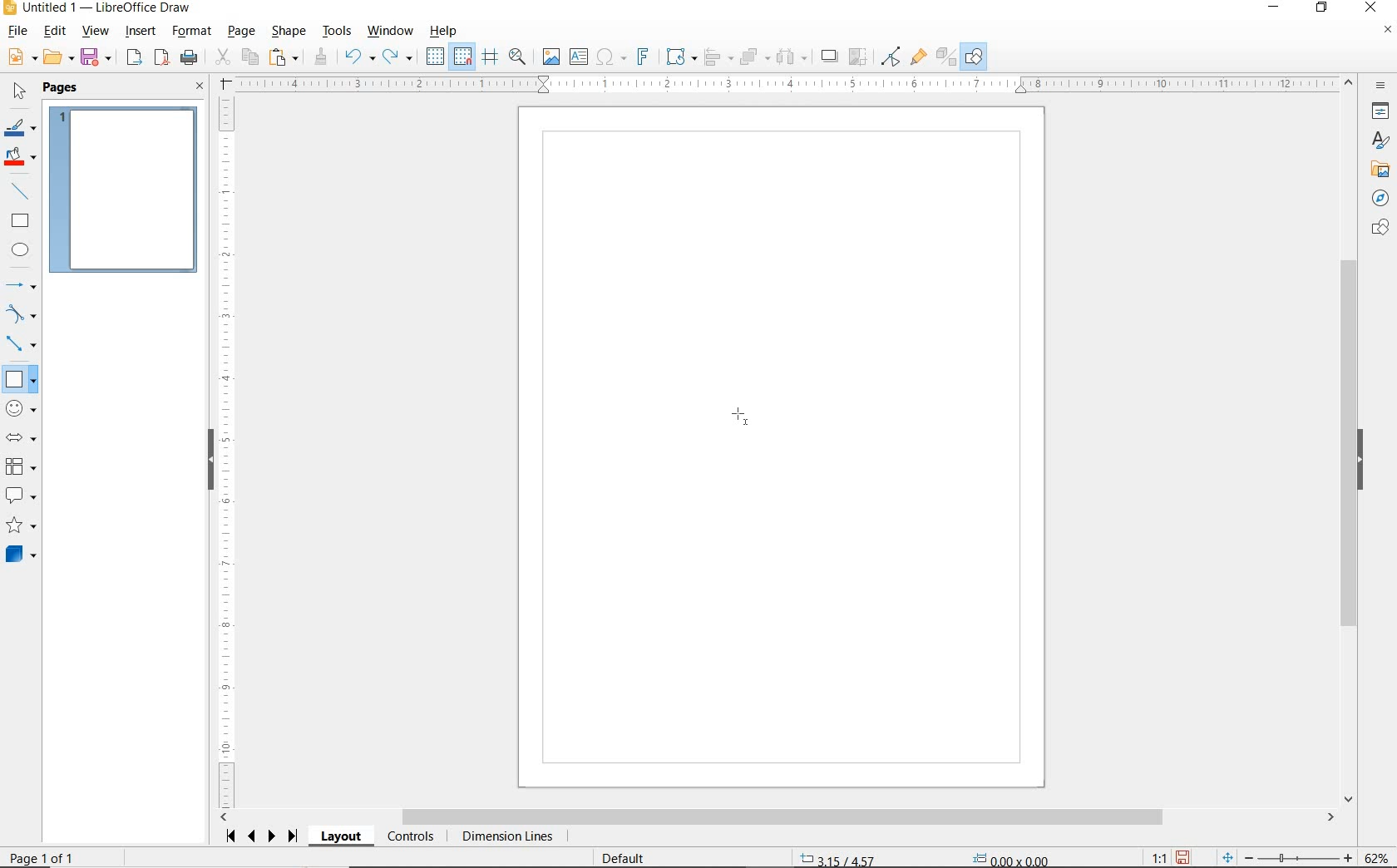 The width and height of the screenshot is (1397, 868). What do you see at coordinates (21, 555) in the screenshot?
I see `3D SHAPES` at bounding box center [21, 555].